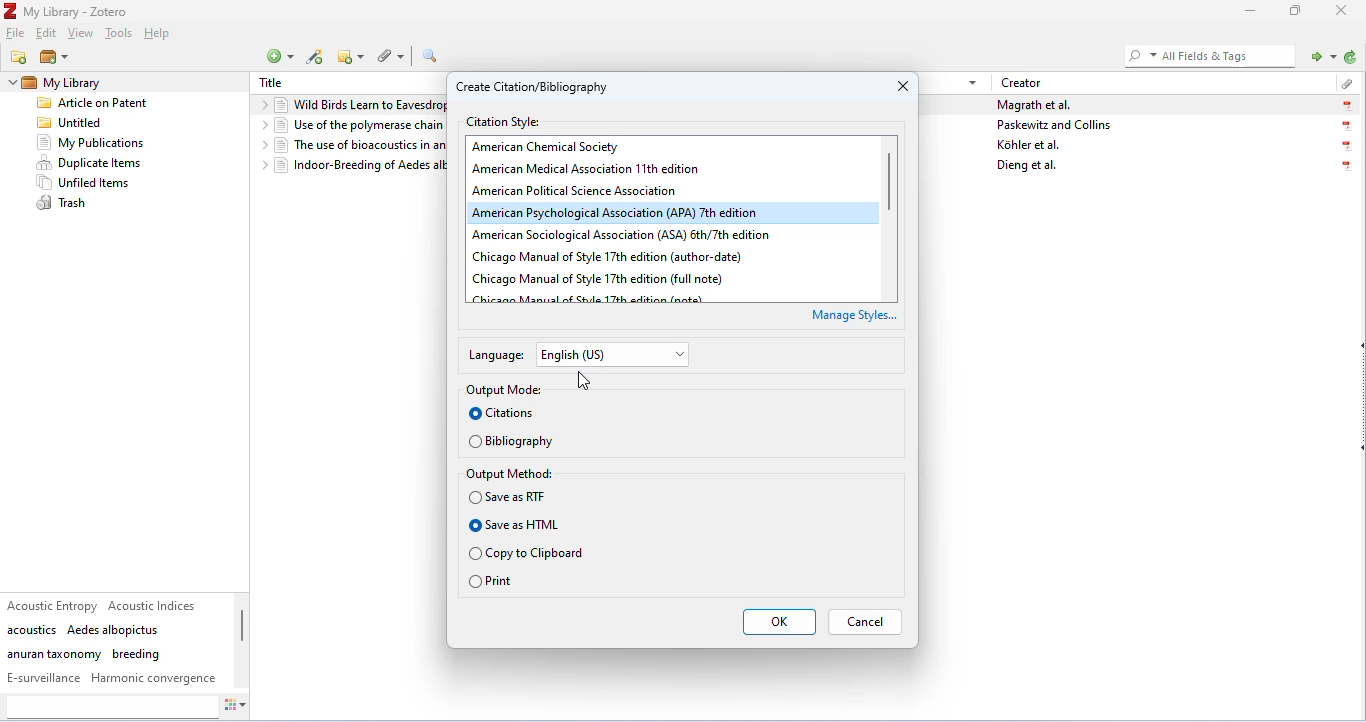  Describe the element at coordinates (513, 441) in the screenshot. I see `bibliography` at that location.